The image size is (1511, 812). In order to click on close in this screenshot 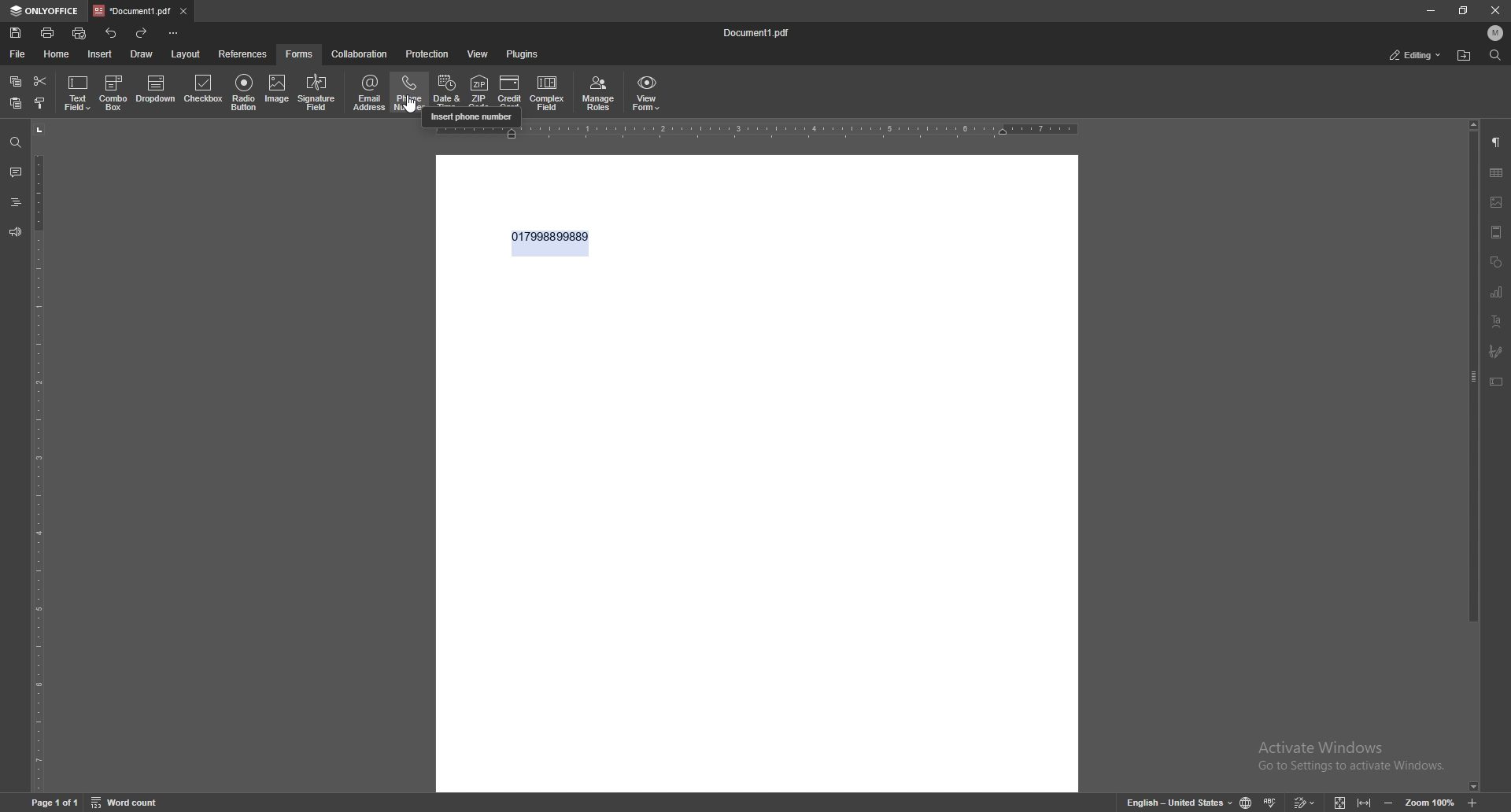, I will do `click(183, 12)`.